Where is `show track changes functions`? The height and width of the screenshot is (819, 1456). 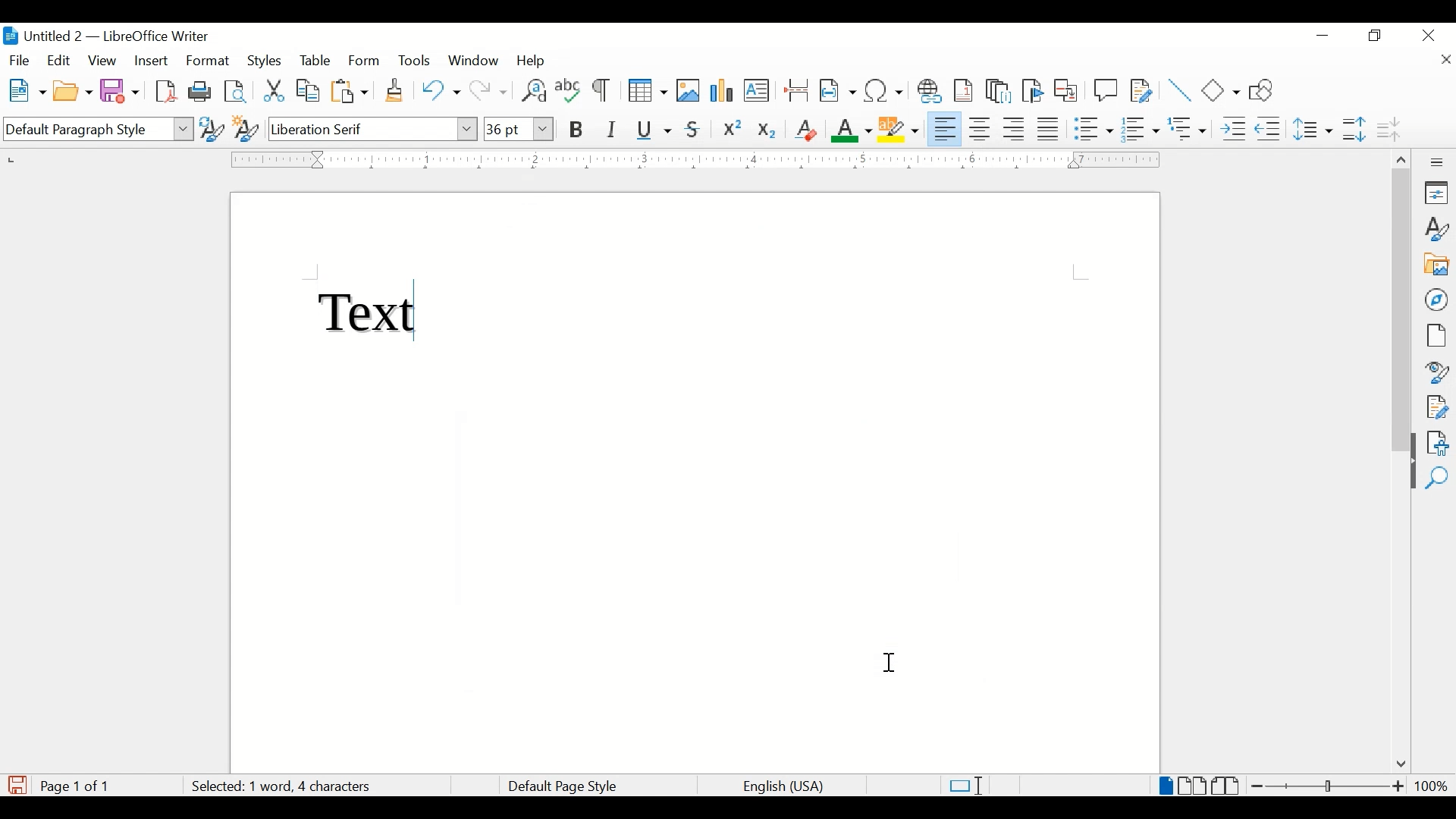
show track changes functions is located at coordinates (1141, 89).